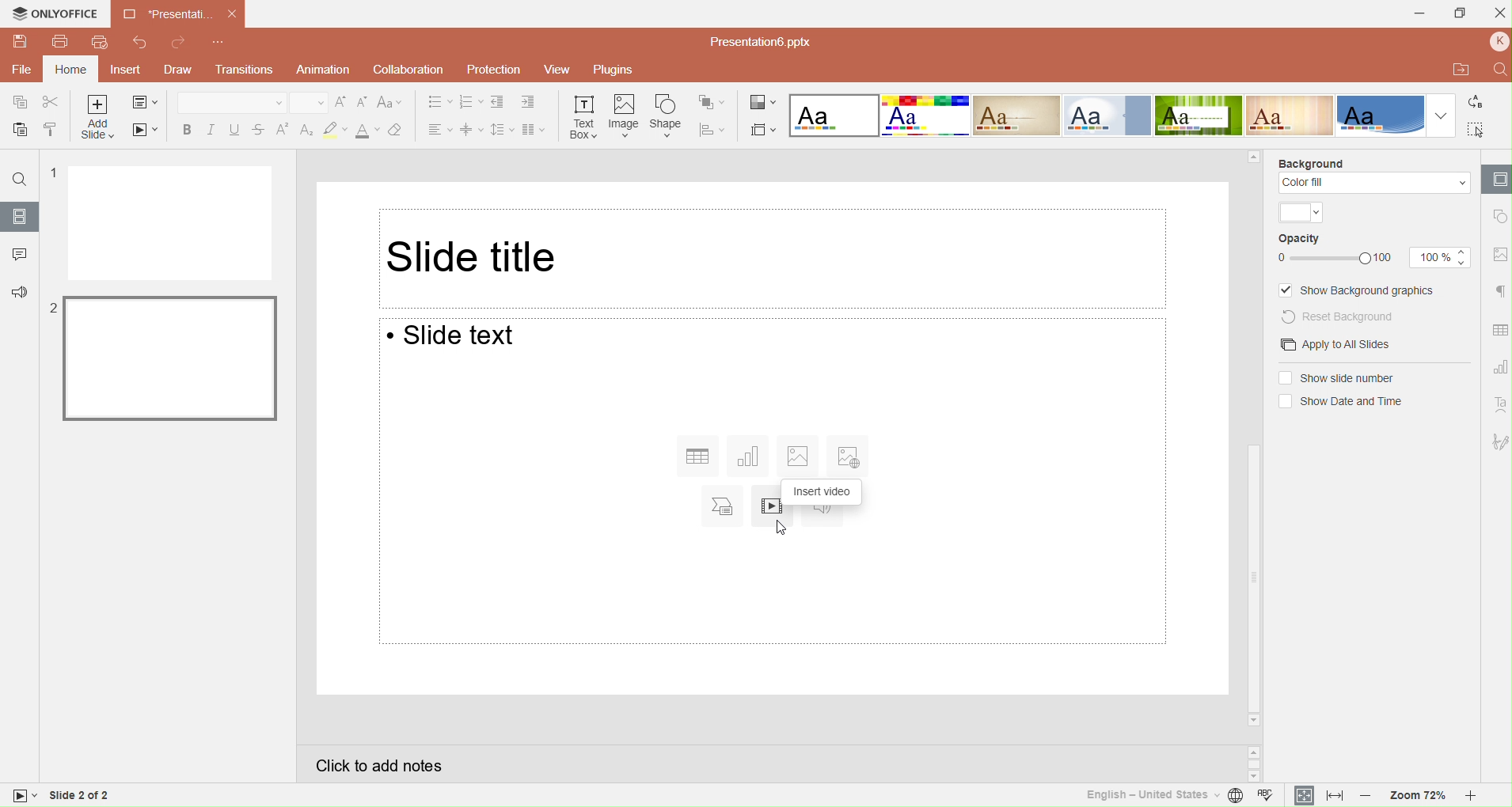  What do you see at coordinates (236, 127) in the screenshot?
I see `Underline` at bounding box center [236, 127].